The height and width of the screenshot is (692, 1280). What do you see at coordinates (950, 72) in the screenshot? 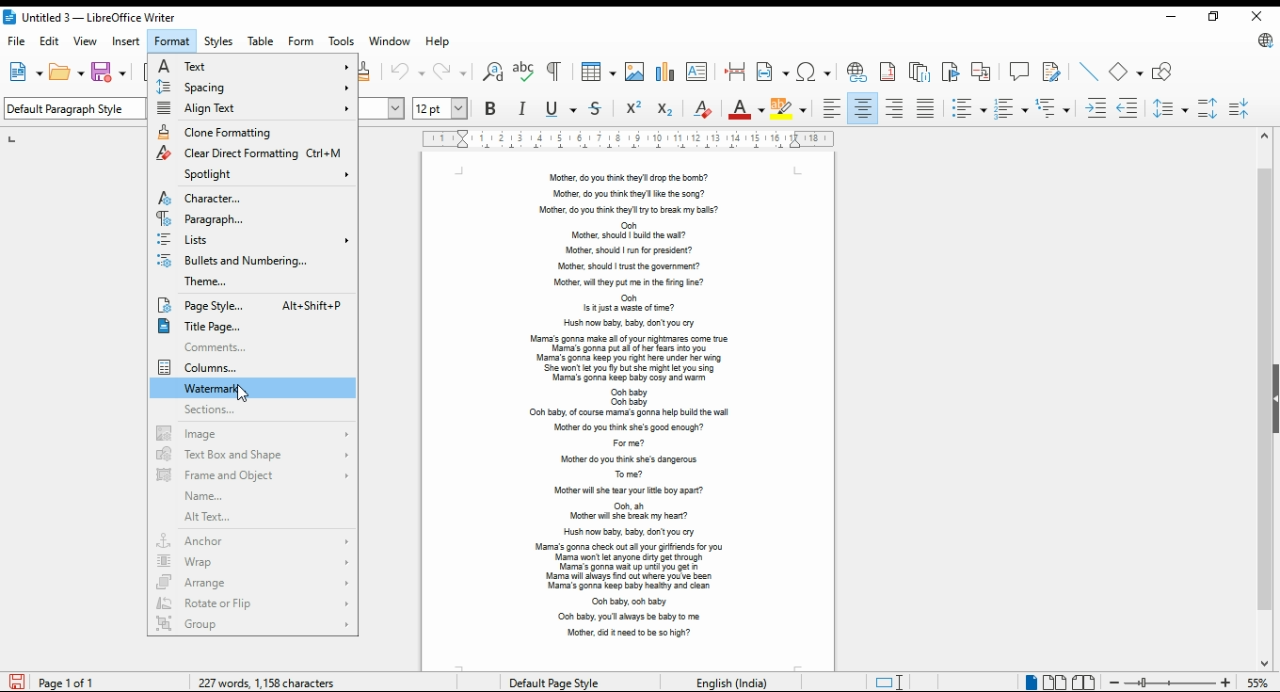
I see `insert bookmark` at bounding box center [950, 72].